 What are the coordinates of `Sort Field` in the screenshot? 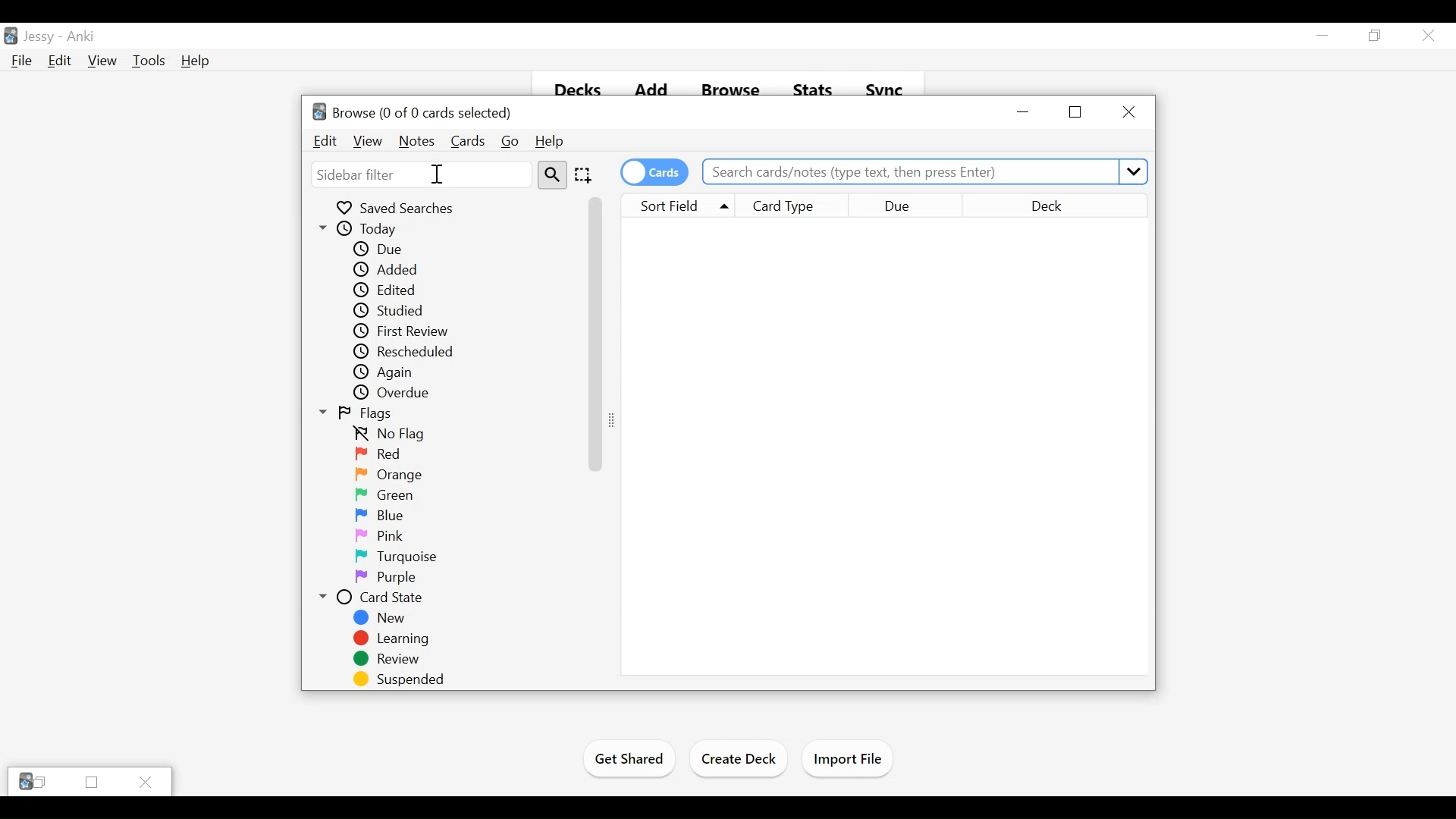 It's located at (675, 205).